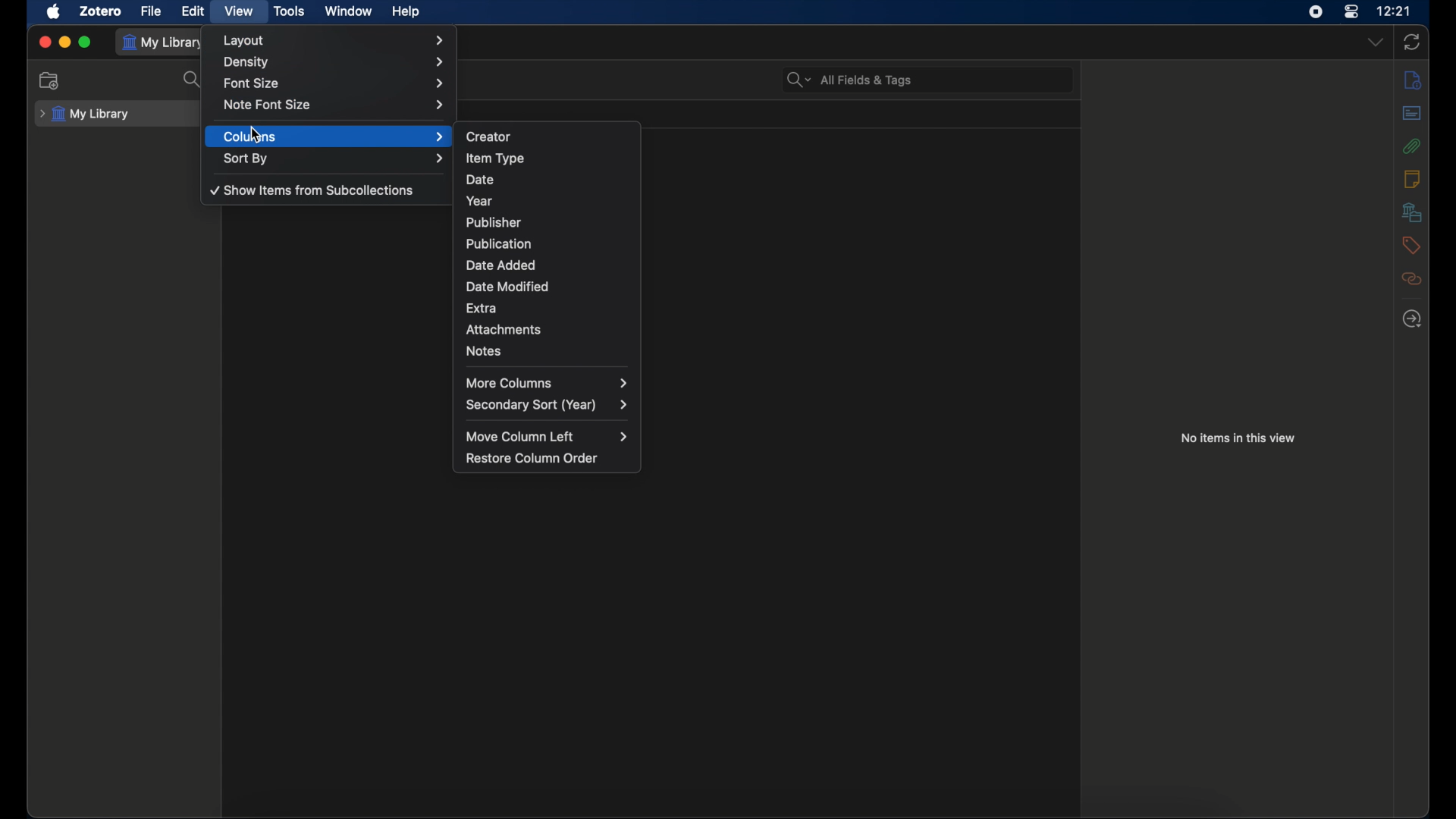  I want to click on my library, so click(164, 42).